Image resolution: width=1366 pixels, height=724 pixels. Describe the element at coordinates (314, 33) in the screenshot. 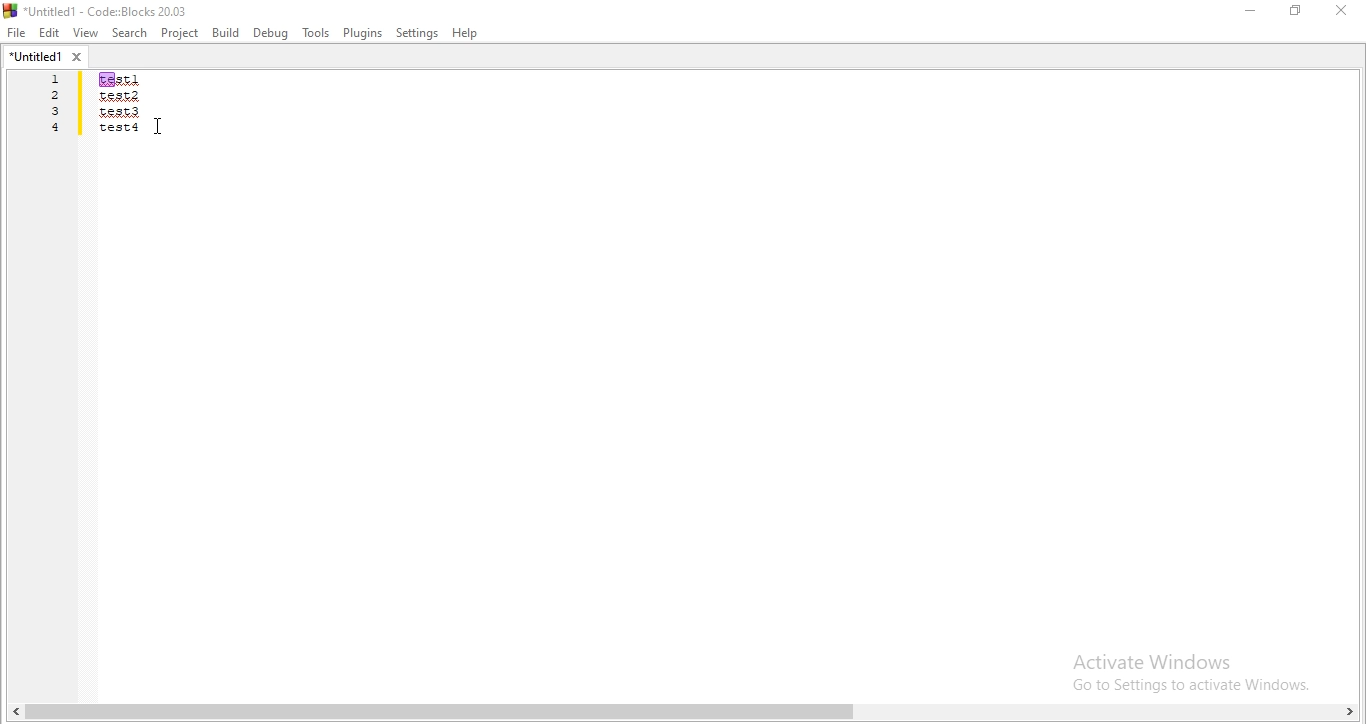

I see `tools` at that location.